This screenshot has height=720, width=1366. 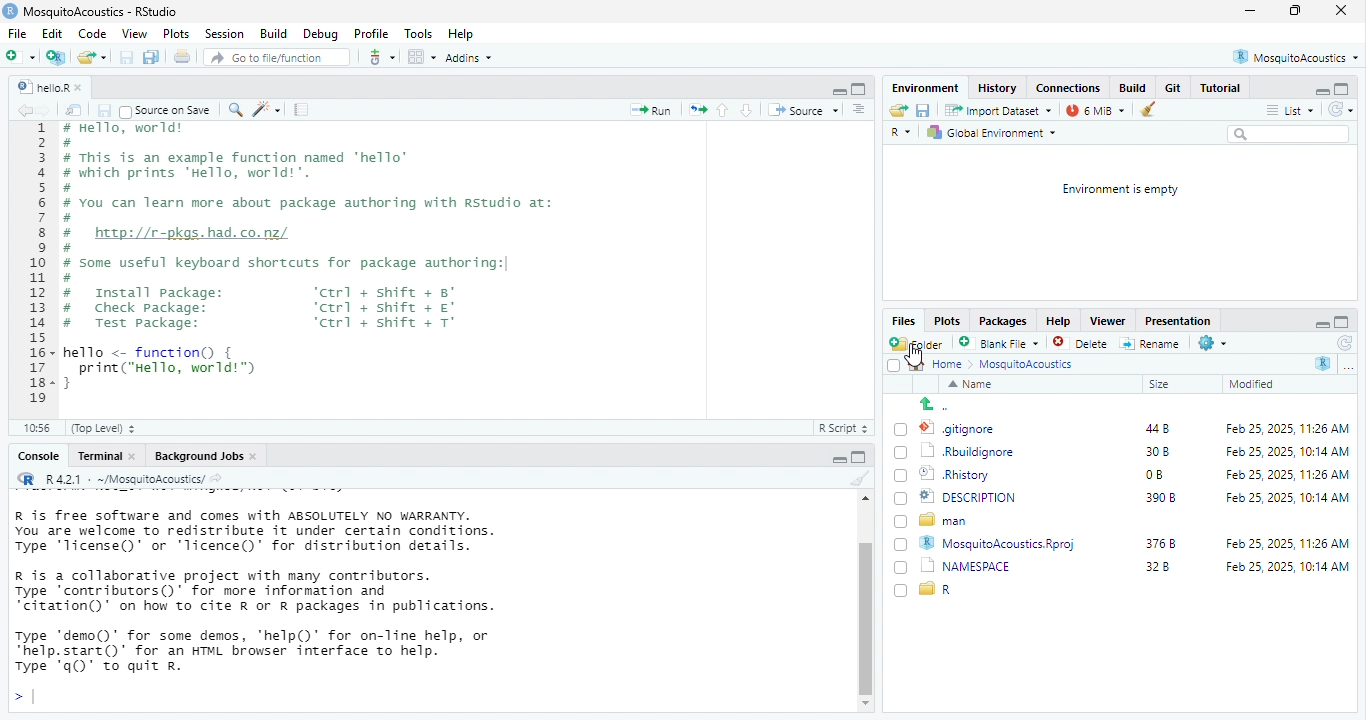 I want to click on scroll up, so click(x=863, y=500).